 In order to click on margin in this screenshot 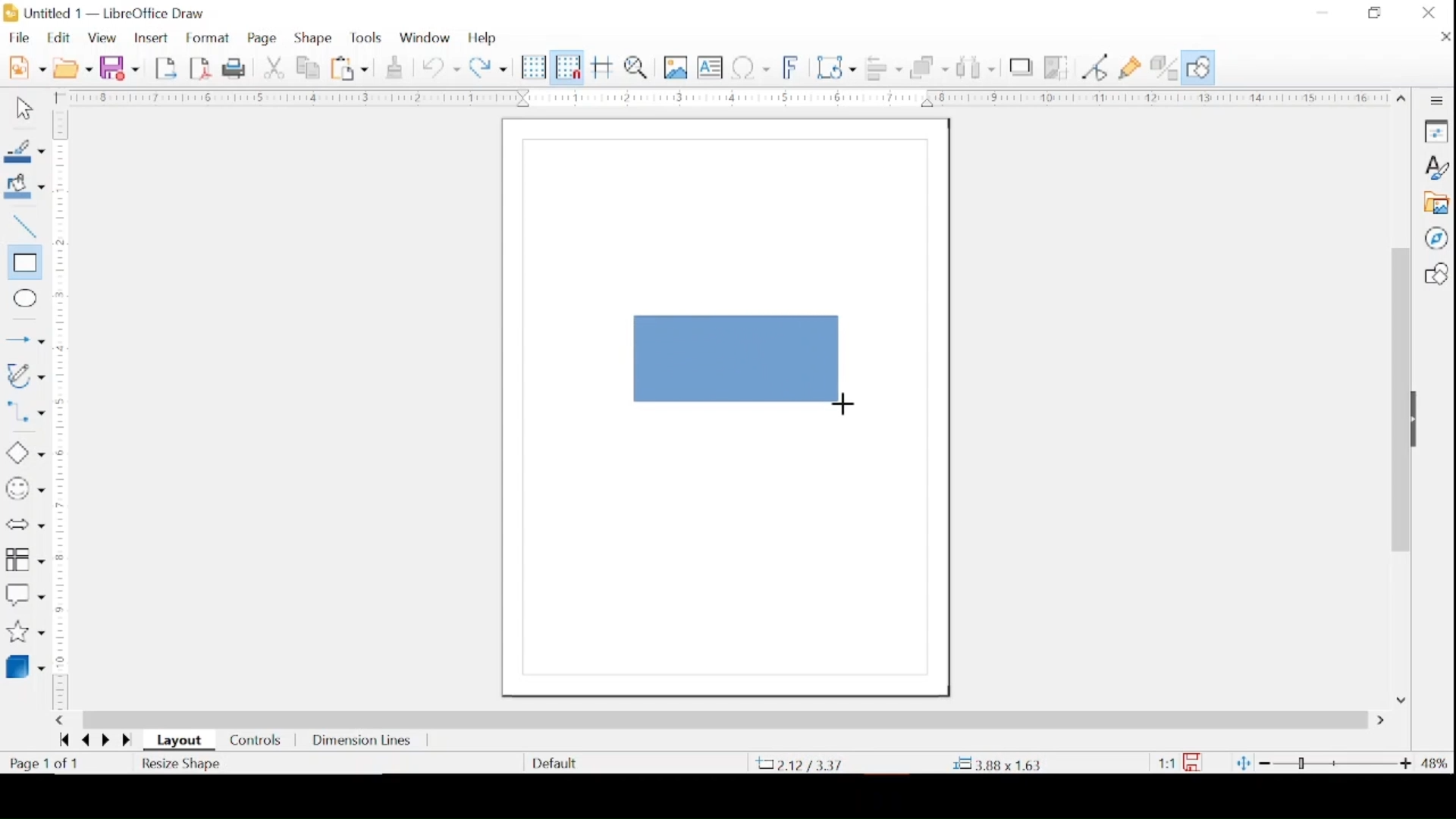, I will do `click(719, 97)`.